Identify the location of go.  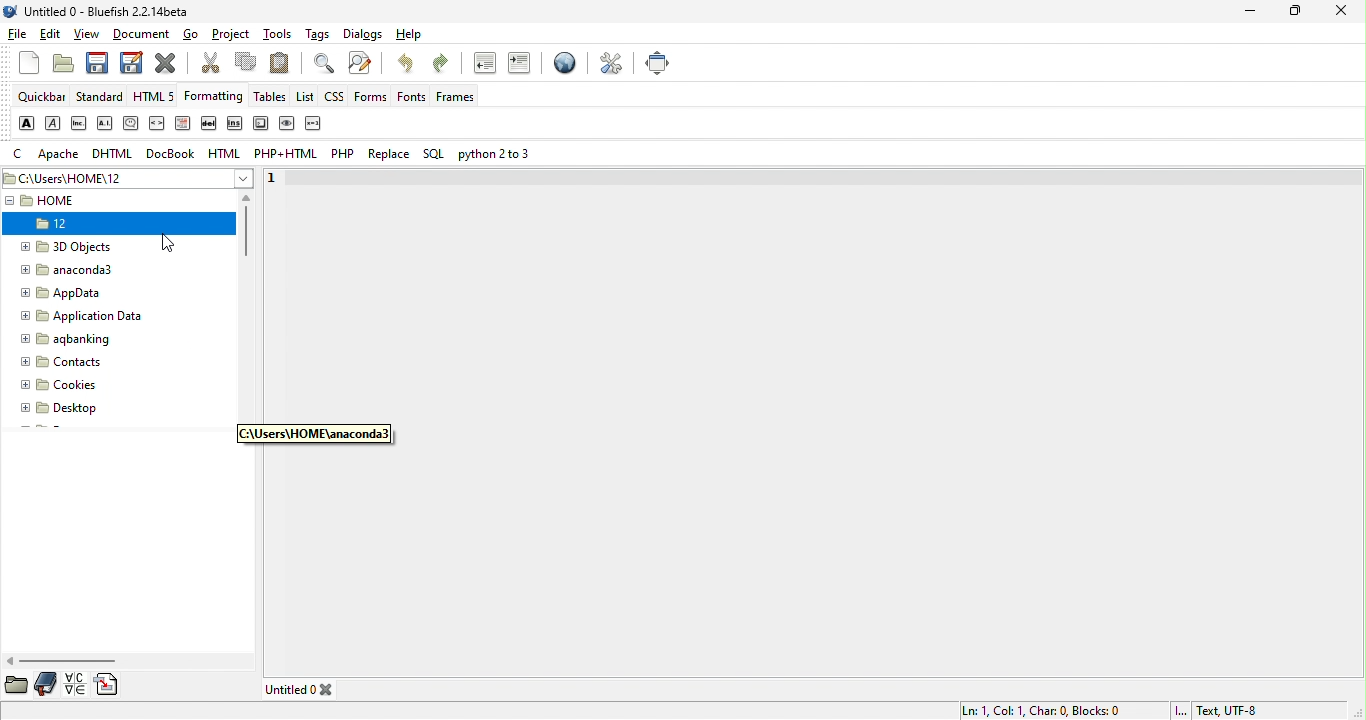
(192, 33).